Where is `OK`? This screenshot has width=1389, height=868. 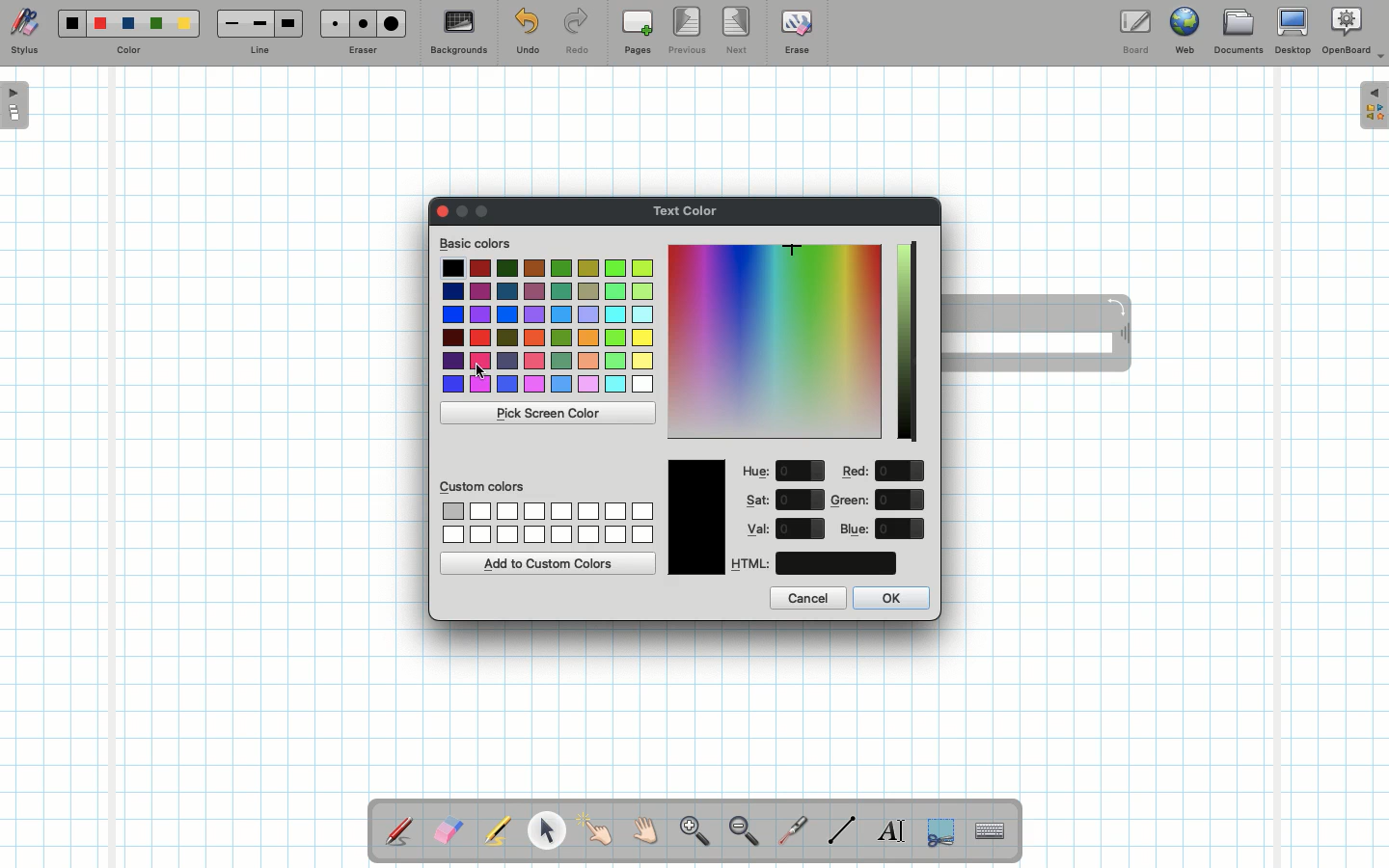 OK is located at coordinates (888, 598).